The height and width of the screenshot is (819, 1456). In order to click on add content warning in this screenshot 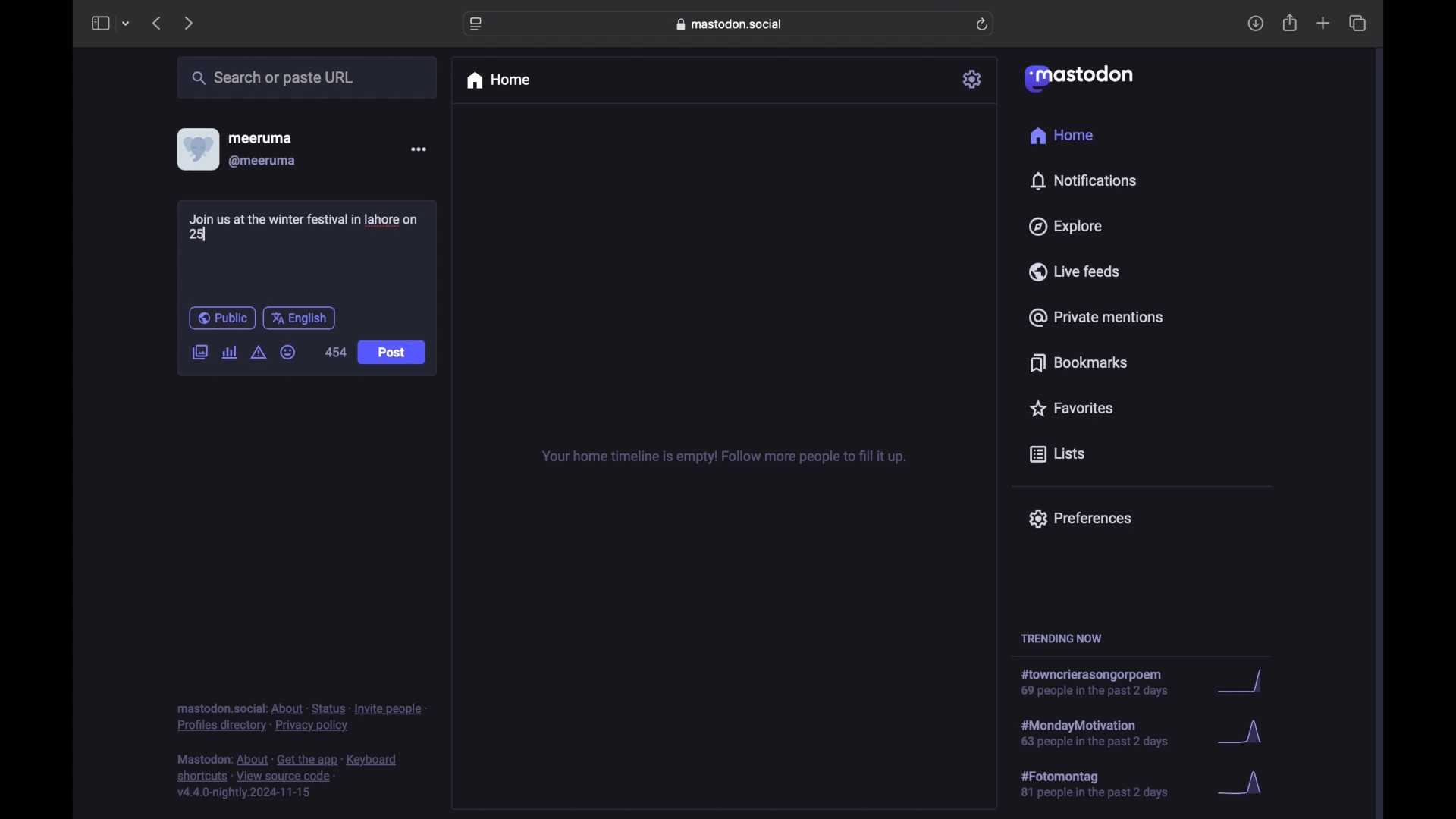, I will do `click(258, 353)`.